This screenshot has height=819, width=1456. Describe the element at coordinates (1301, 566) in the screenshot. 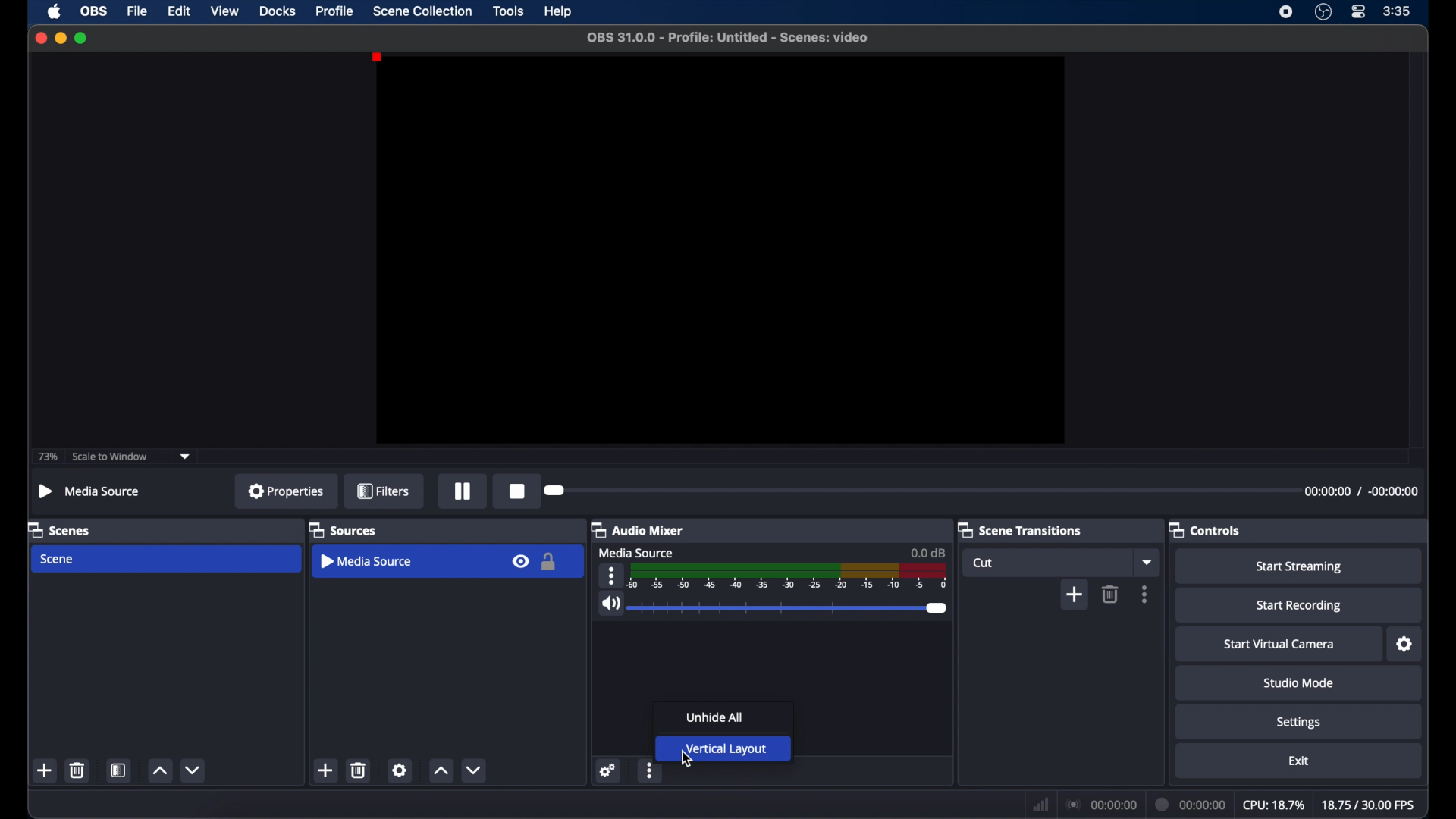

I see `start streaming` at that location.